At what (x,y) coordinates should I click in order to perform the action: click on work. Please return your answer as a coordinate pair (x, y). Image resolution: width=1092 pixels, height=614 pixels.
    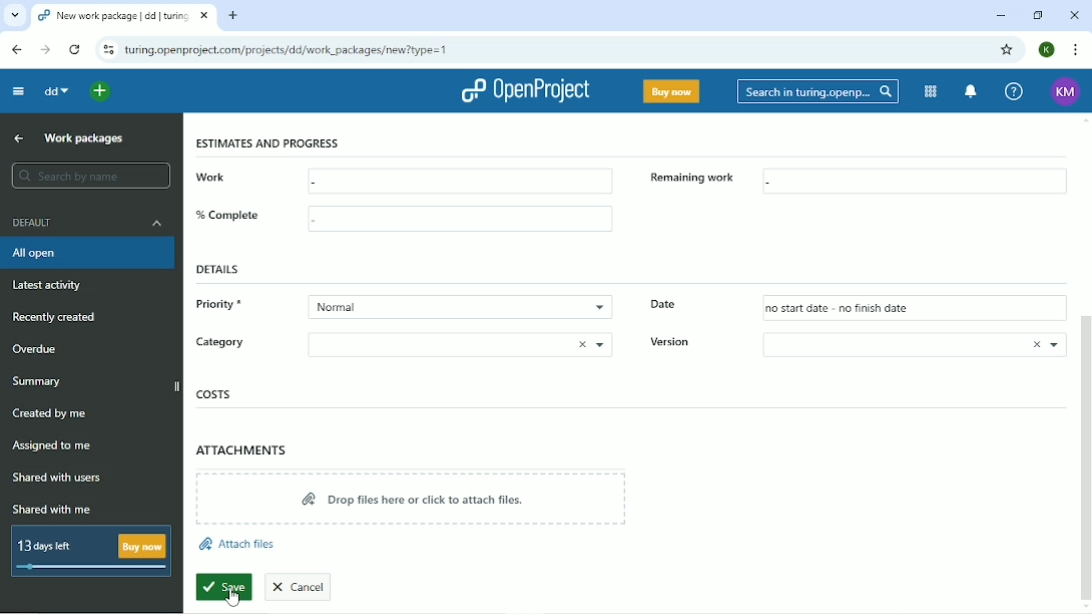
    Looking at the image, I should click on (223, 175).